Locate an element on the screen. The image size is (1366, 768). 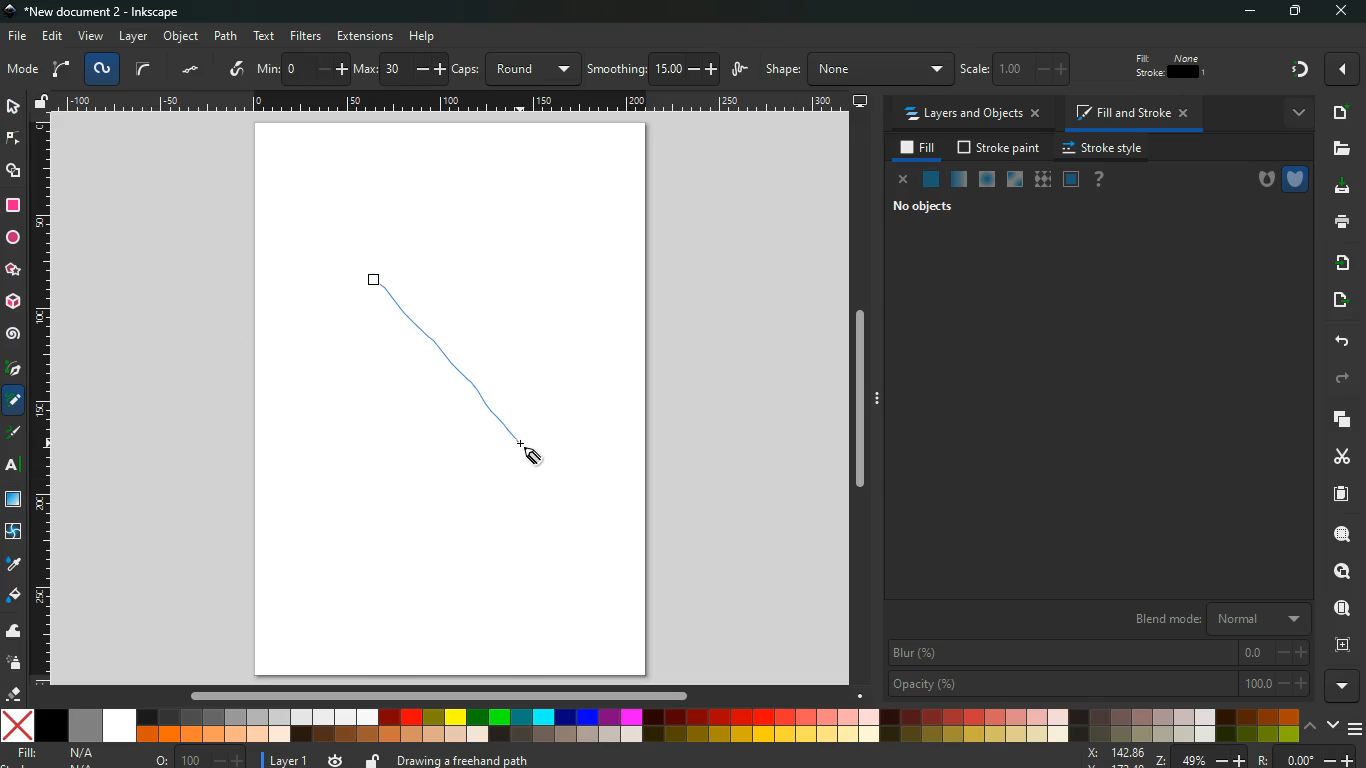
opacity is located at coordinates (1099, 683).